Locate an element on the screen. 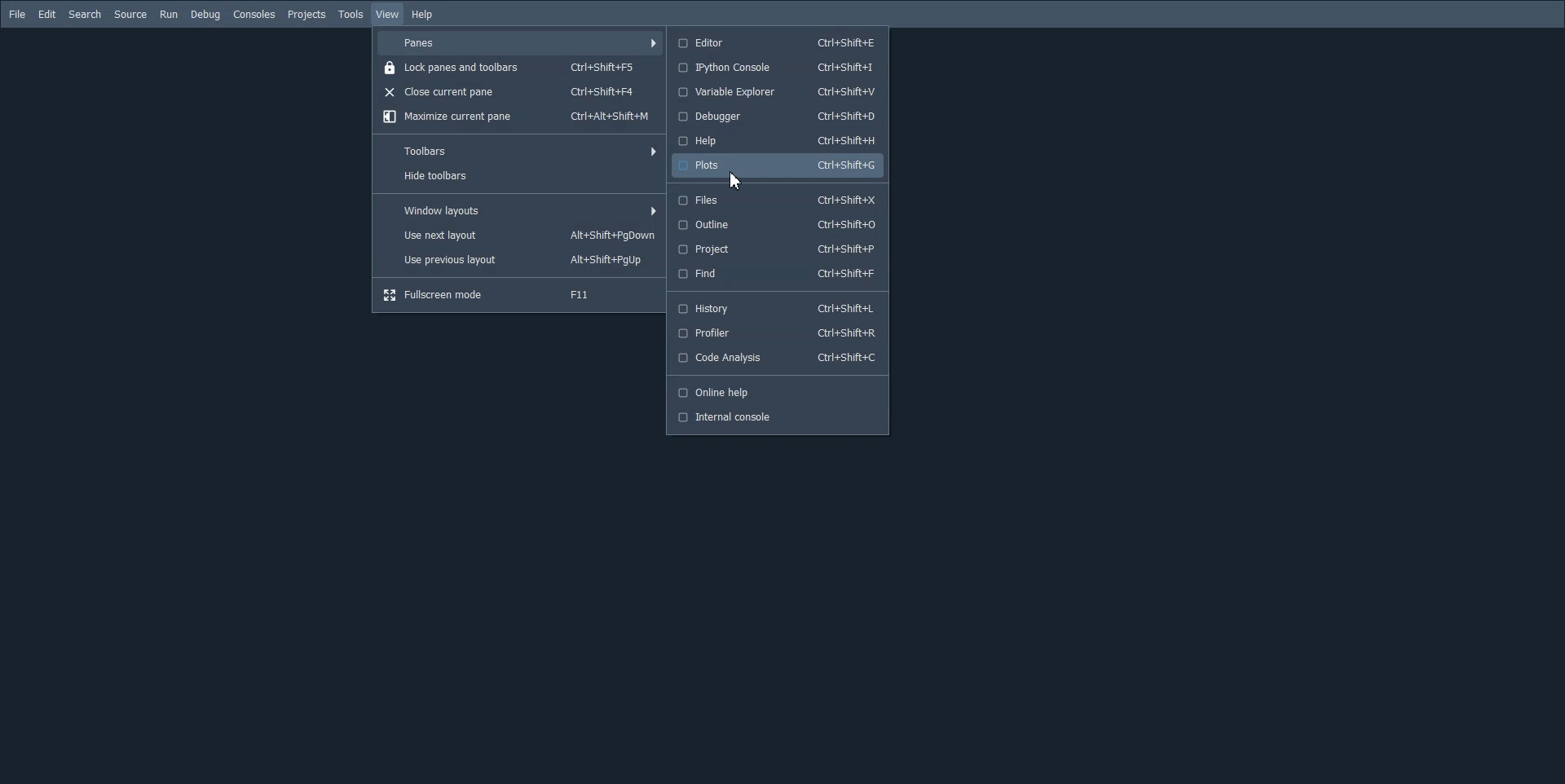 This screenshot has height=784, width=1565. Outline is located at coordinates (780, 225).